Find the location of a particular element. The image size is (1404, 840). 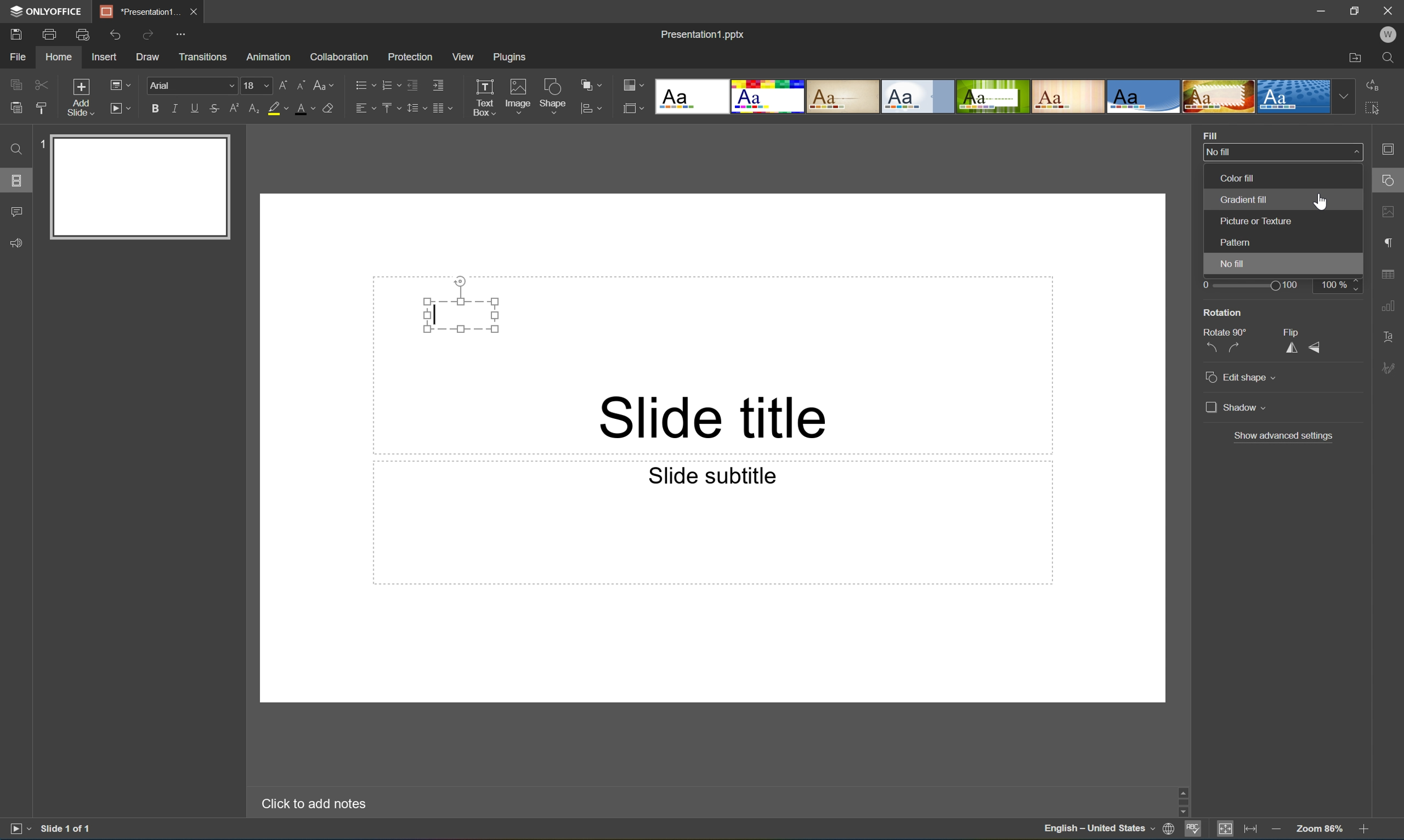

Subscript is located at coordinates (252, 109).